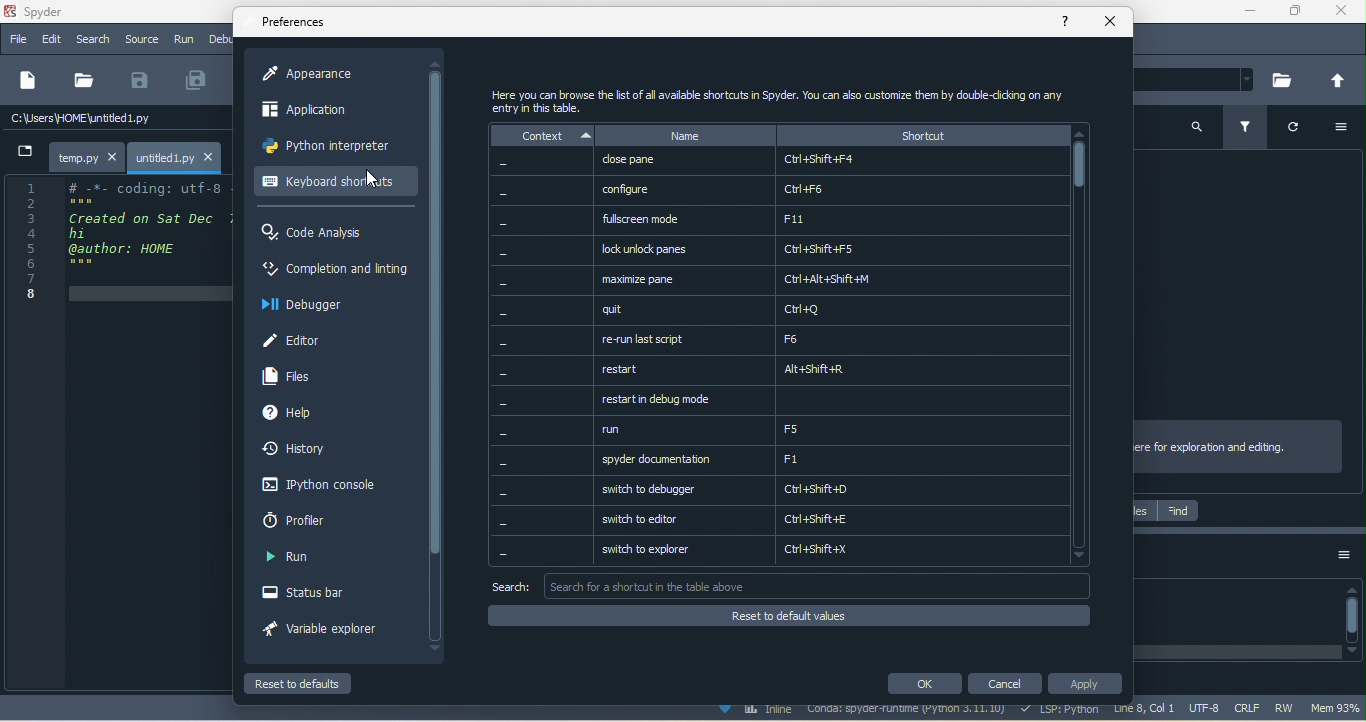 The width and height of the screenshot is (1366, 722). Describe the element at coordinates (689, 134) in the screenshot. I see `name` at that location.